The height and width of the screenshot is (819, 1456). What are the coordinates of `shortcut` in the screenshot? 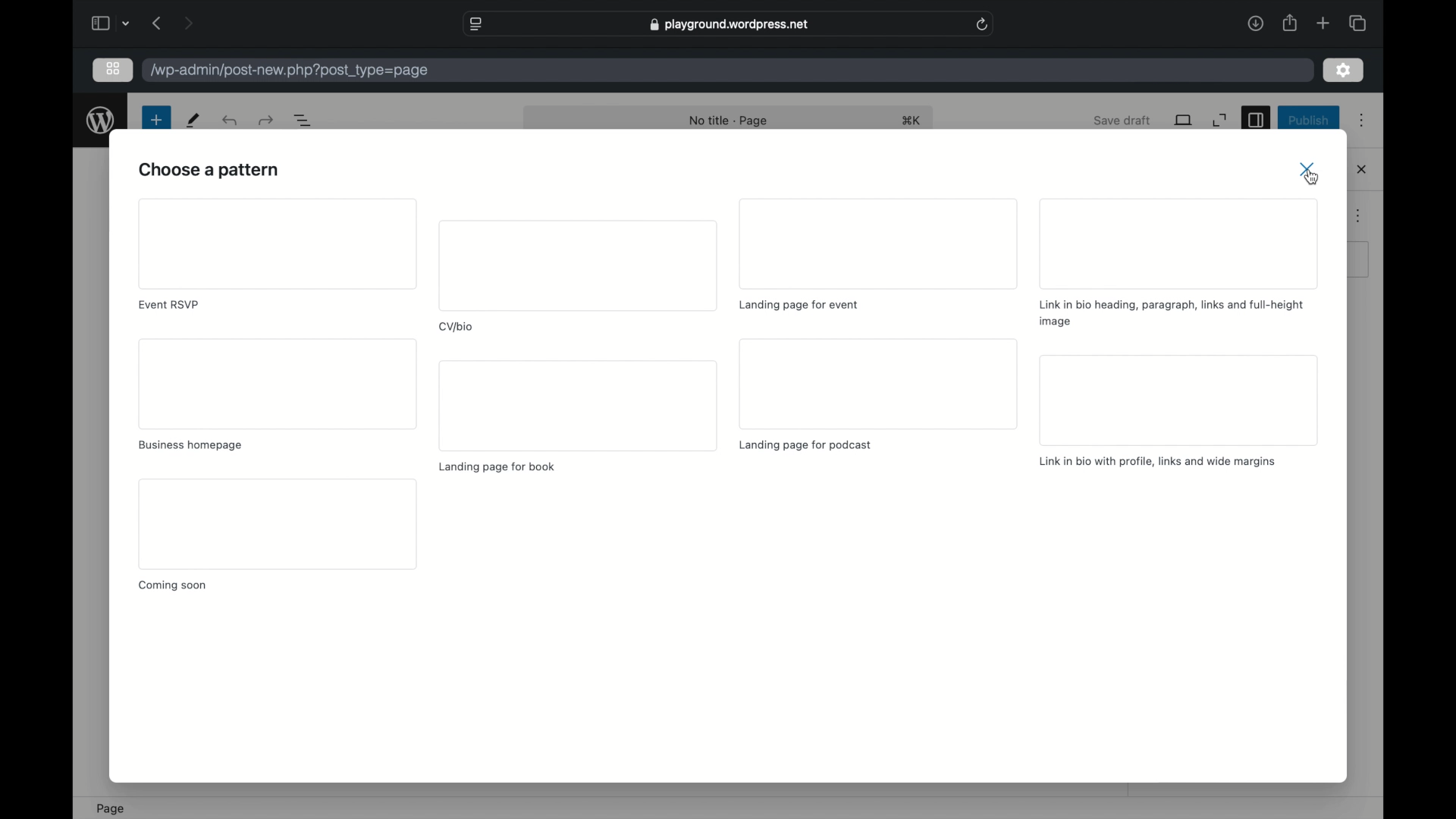 It's located at (913, 121).